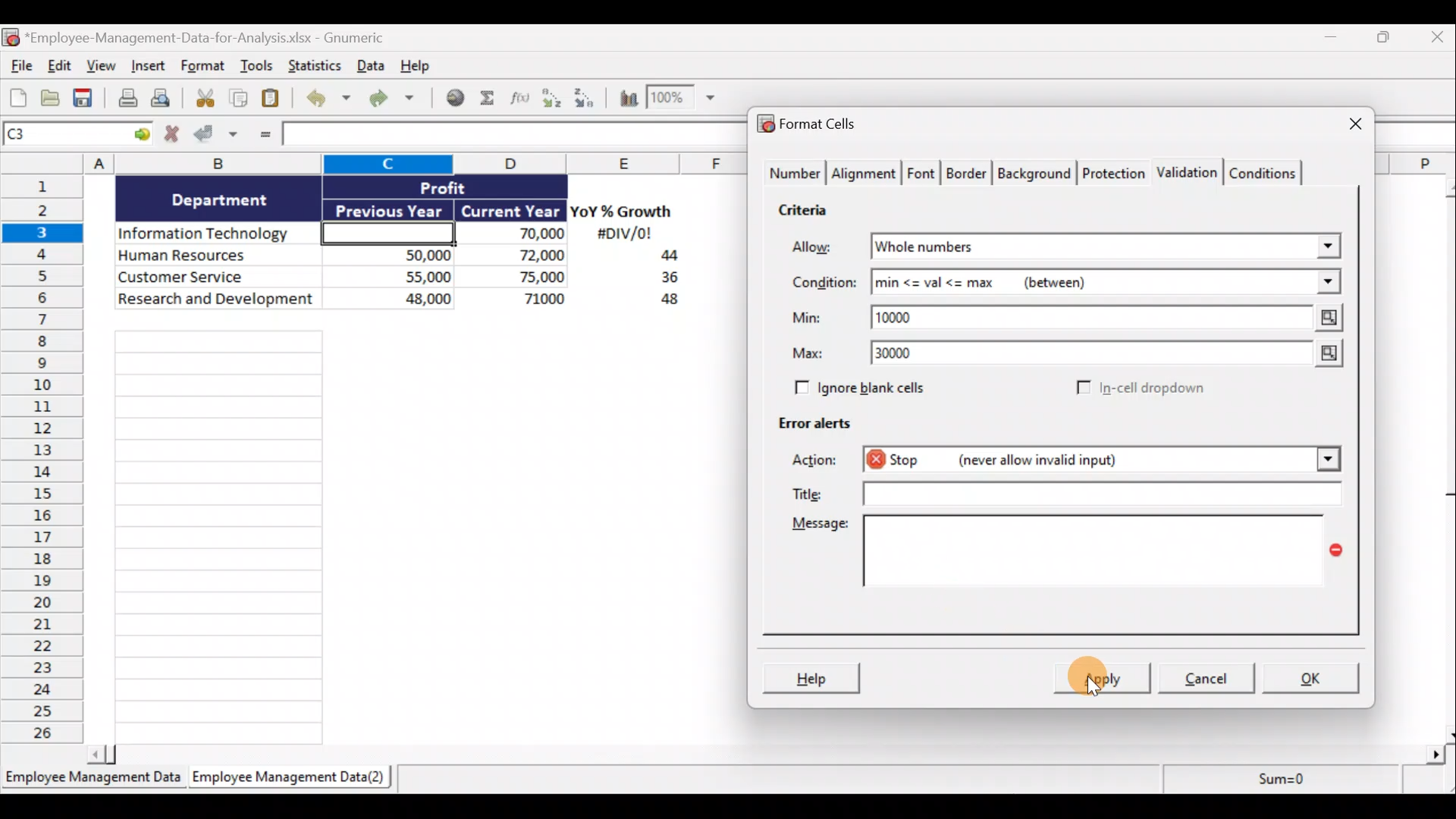  What do you see at coordinates (1320, 355) in the screenshot?
I see `Max value` at bounding box center [1320, 355].